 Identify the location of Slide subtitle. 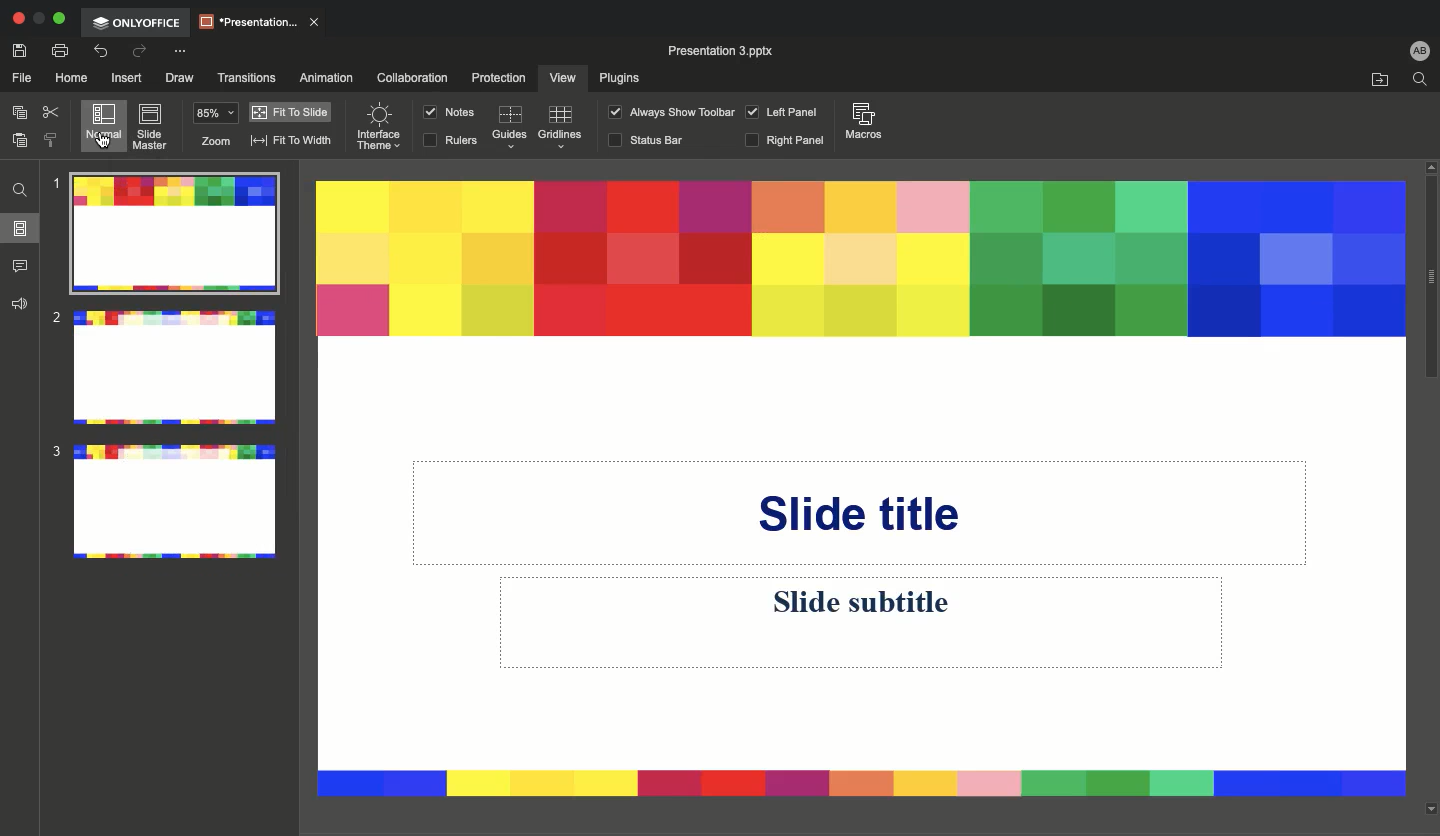
(863, 622).